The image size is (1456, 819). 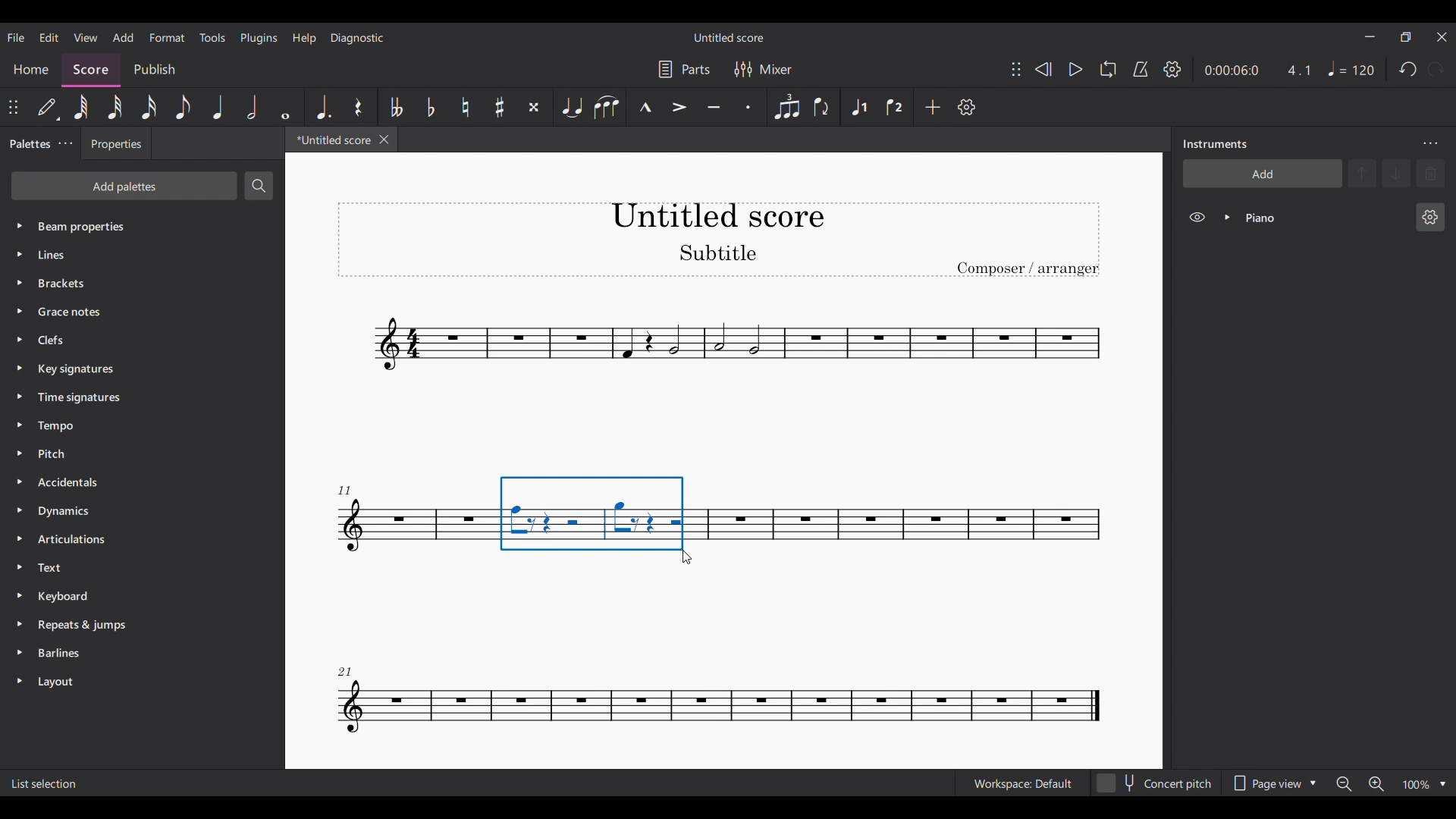 What do you see at coordinates (136, 280) in the screenshot?
I see `Brackets` at bounding box center [136, 280].